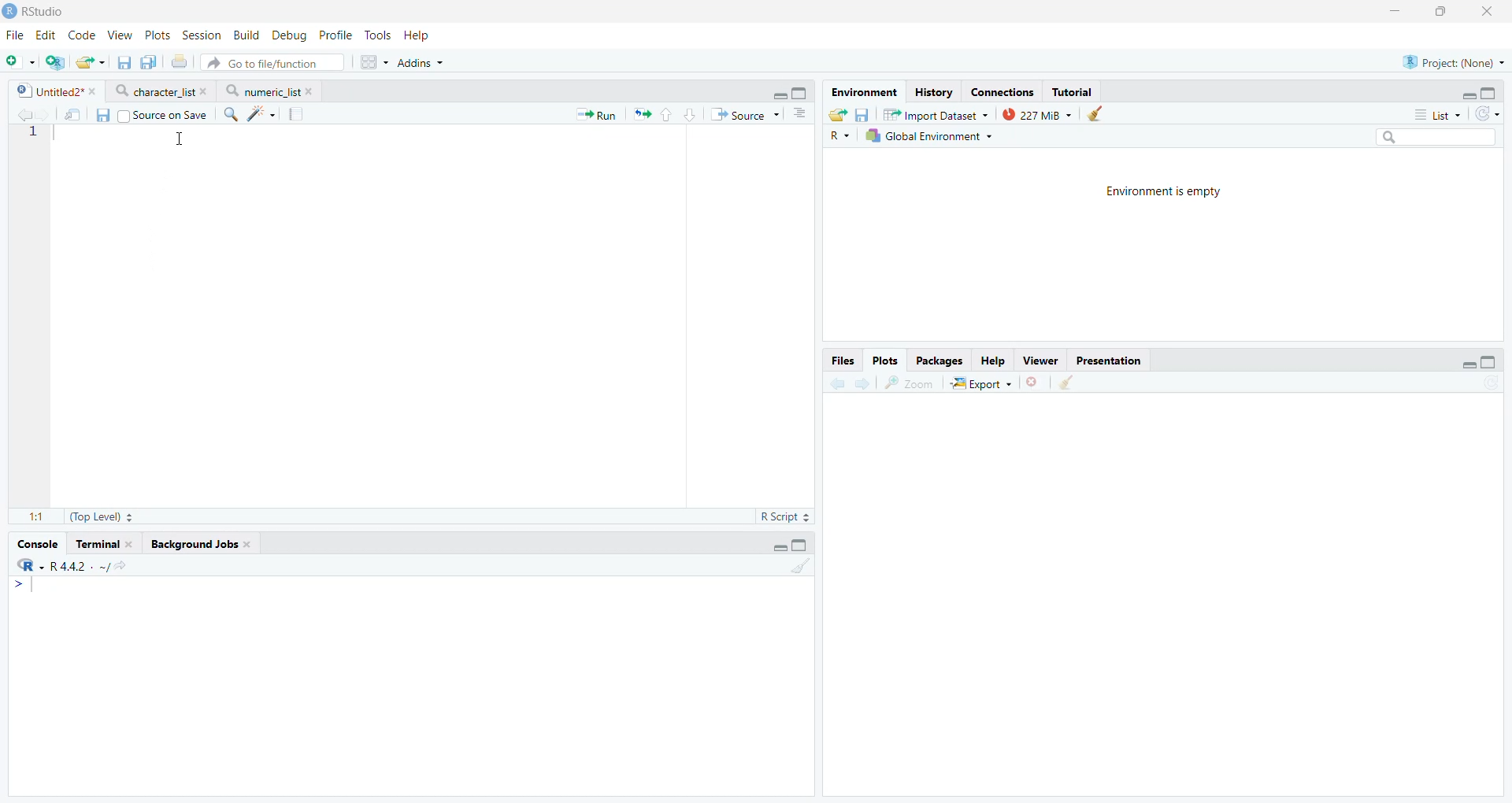  What do you see at coordinates (641, 115) in the screenshot?
I see `Re-run previous code section` at bounding box center [641, 115].